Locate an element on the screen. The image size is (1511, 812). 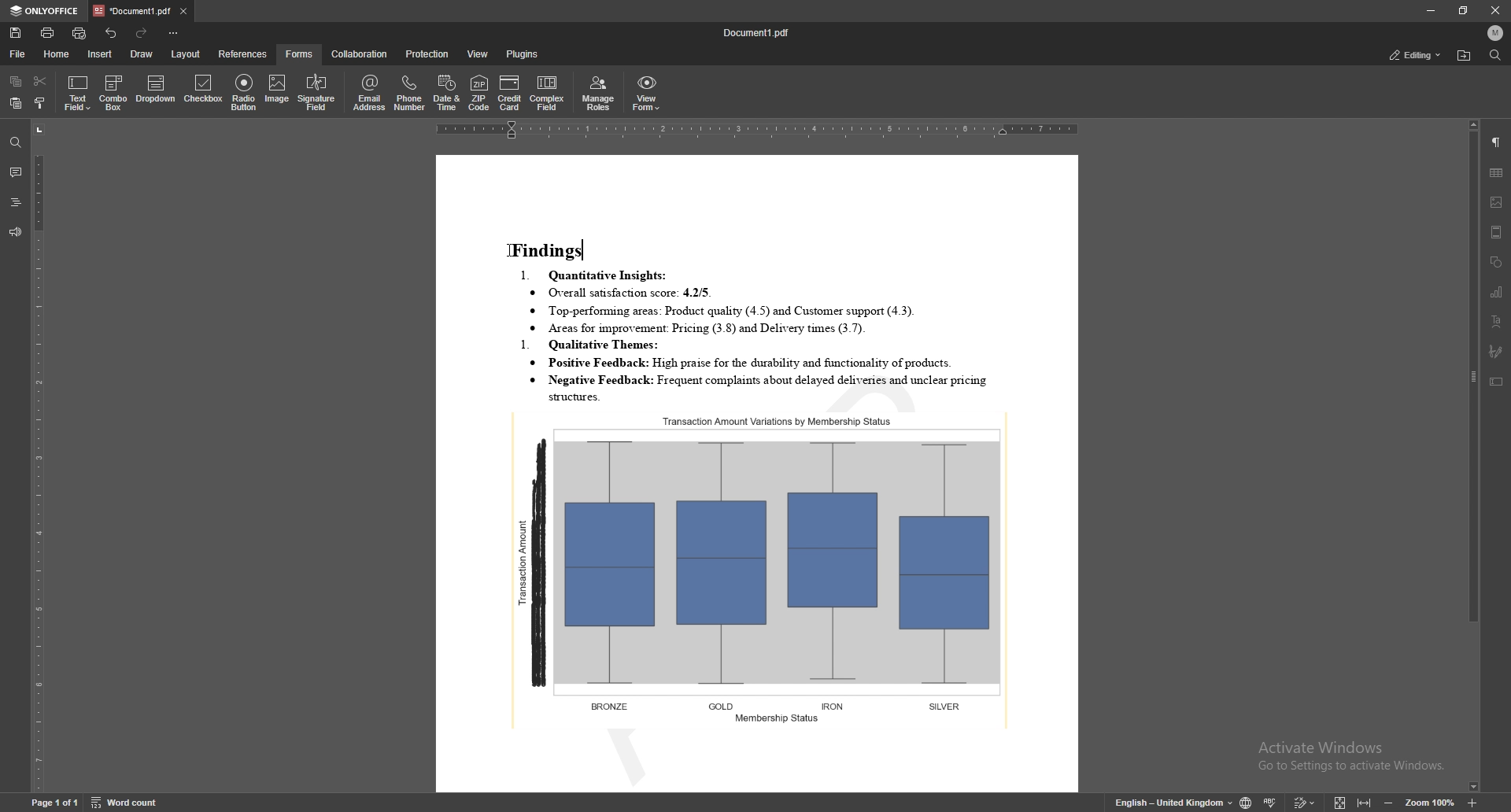
file is located at coordinates (18, 54).